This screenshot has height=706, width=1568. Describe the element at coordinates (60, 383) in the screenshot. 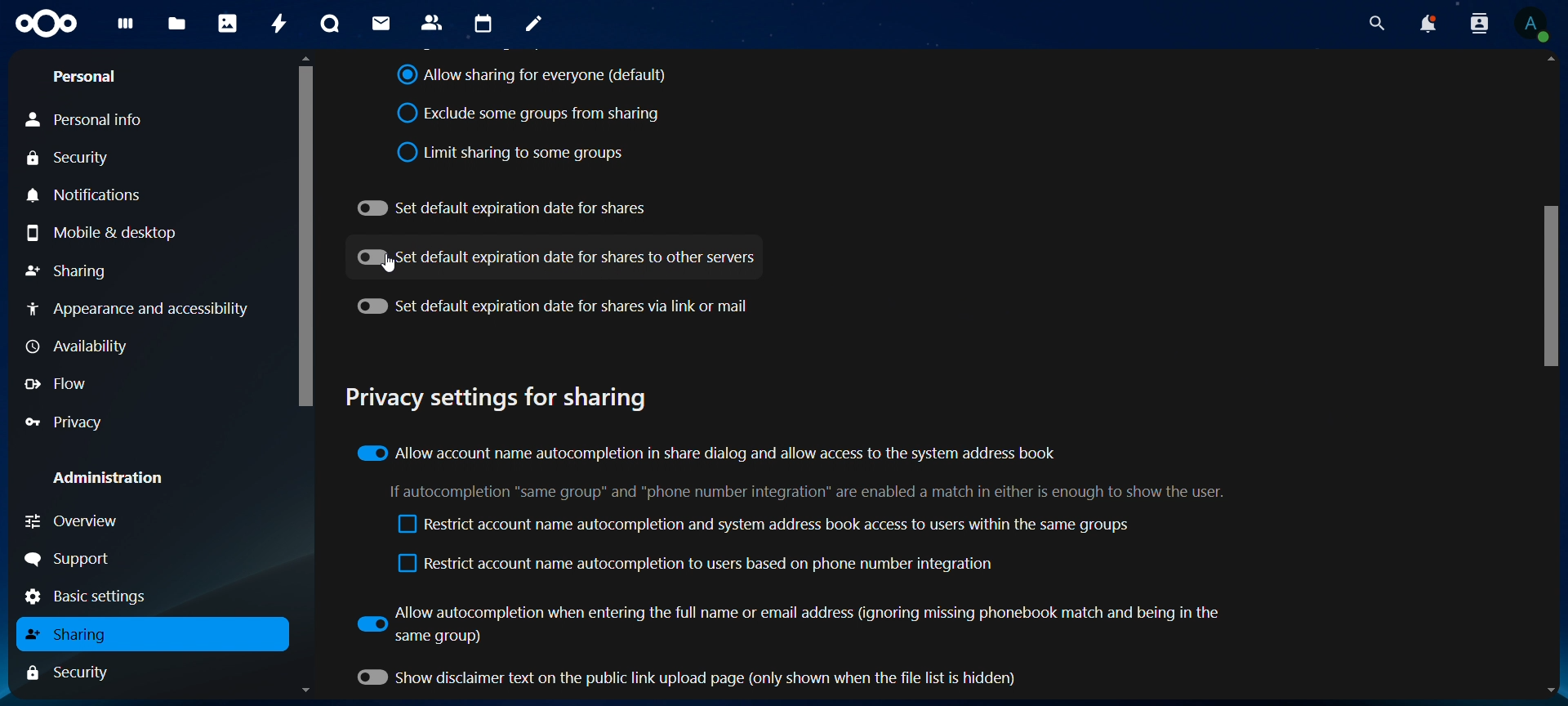

I see `flow` at that location.